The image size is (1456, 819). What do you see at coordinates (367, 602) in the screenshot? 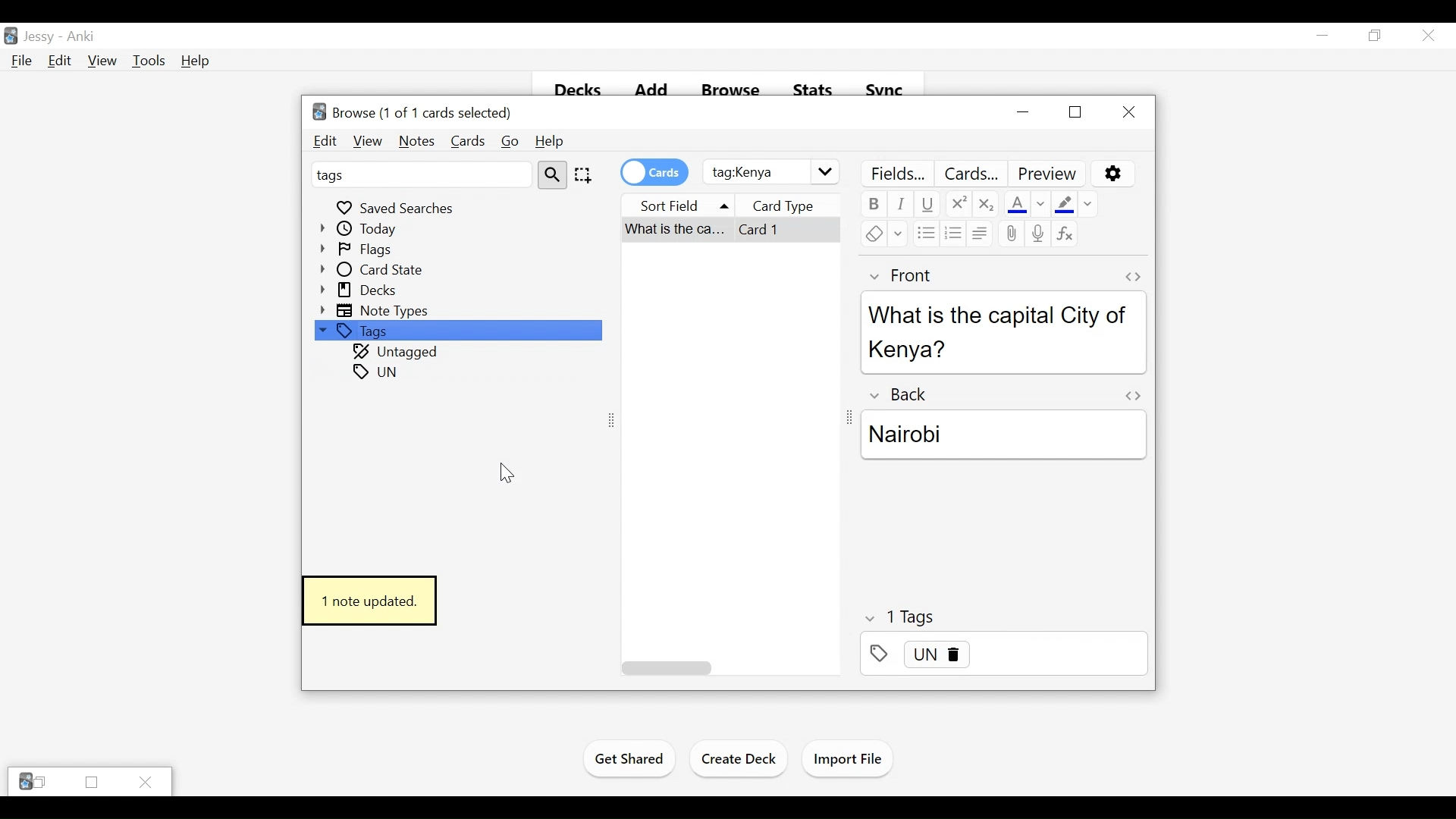
I see `1 note updated` at bounding box center [367, 602].